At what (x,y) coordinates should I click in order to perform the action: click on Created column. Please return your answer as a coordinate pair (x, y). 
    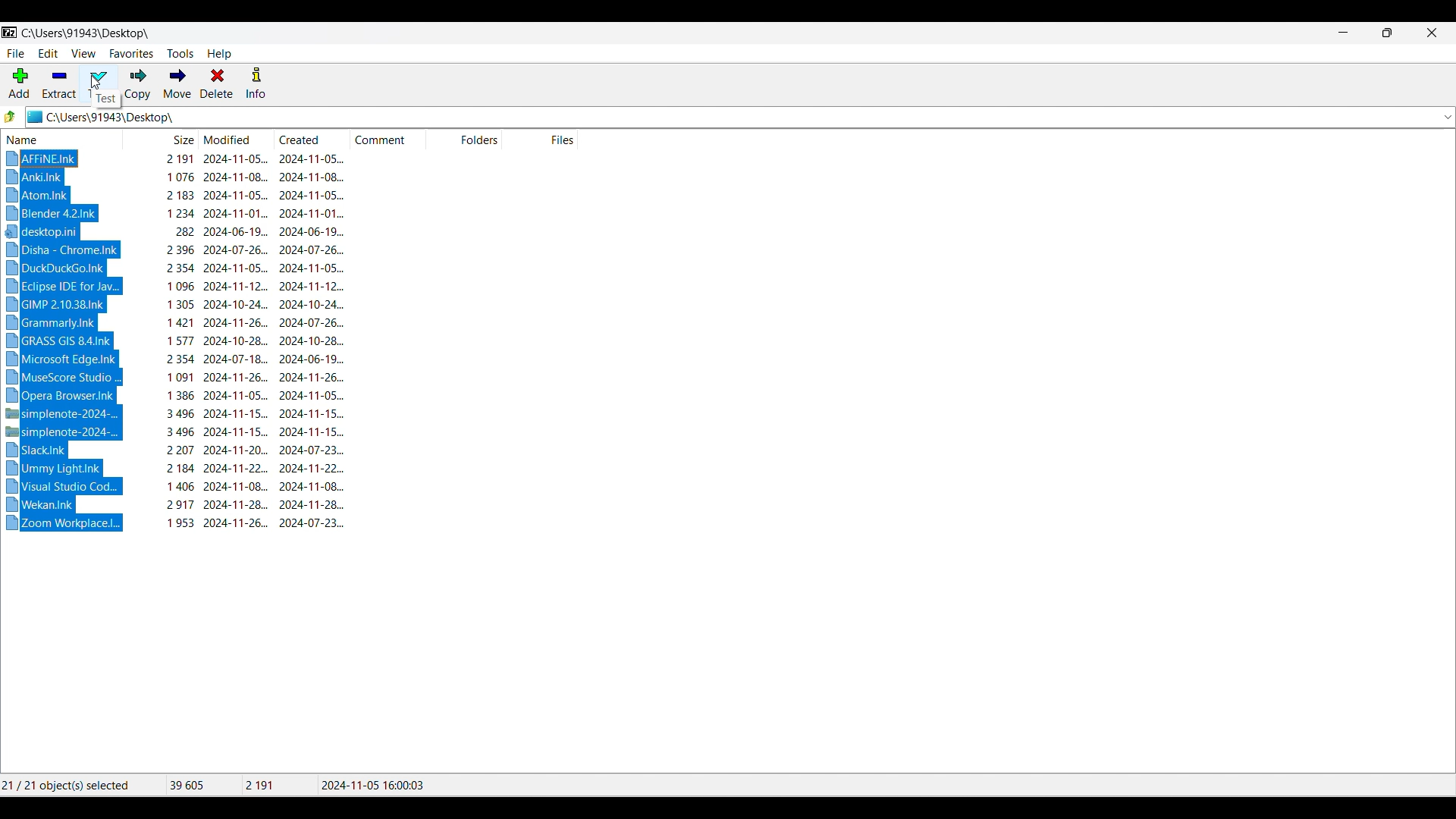
    Looking at the image, I should click on (315, 139).